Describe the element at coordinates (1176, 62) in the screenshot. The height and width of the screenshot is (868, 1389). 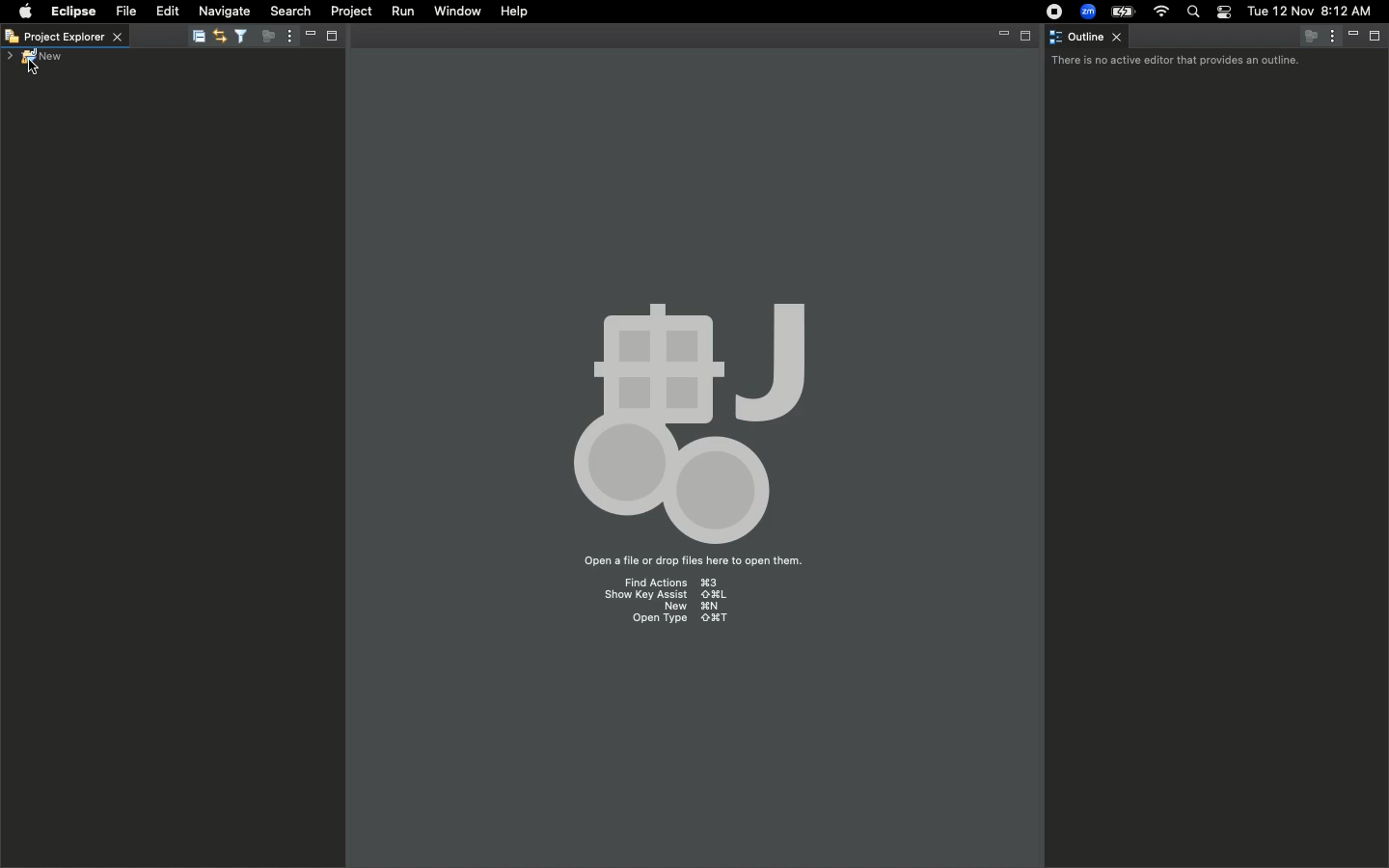
I see `There is no active editor that provides an outline` at that location.